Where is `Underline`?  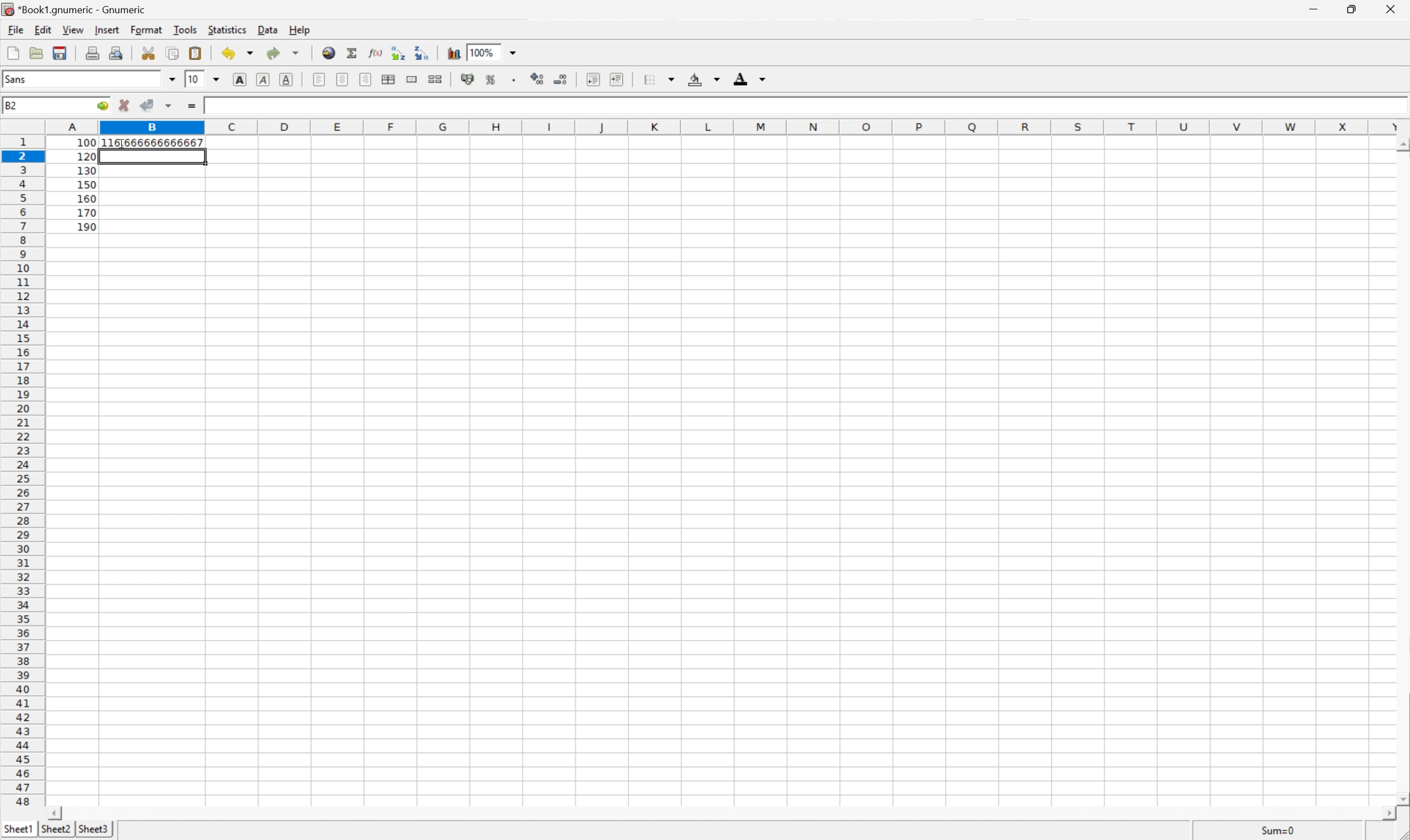
Underline is located at coordinates (287, 80).